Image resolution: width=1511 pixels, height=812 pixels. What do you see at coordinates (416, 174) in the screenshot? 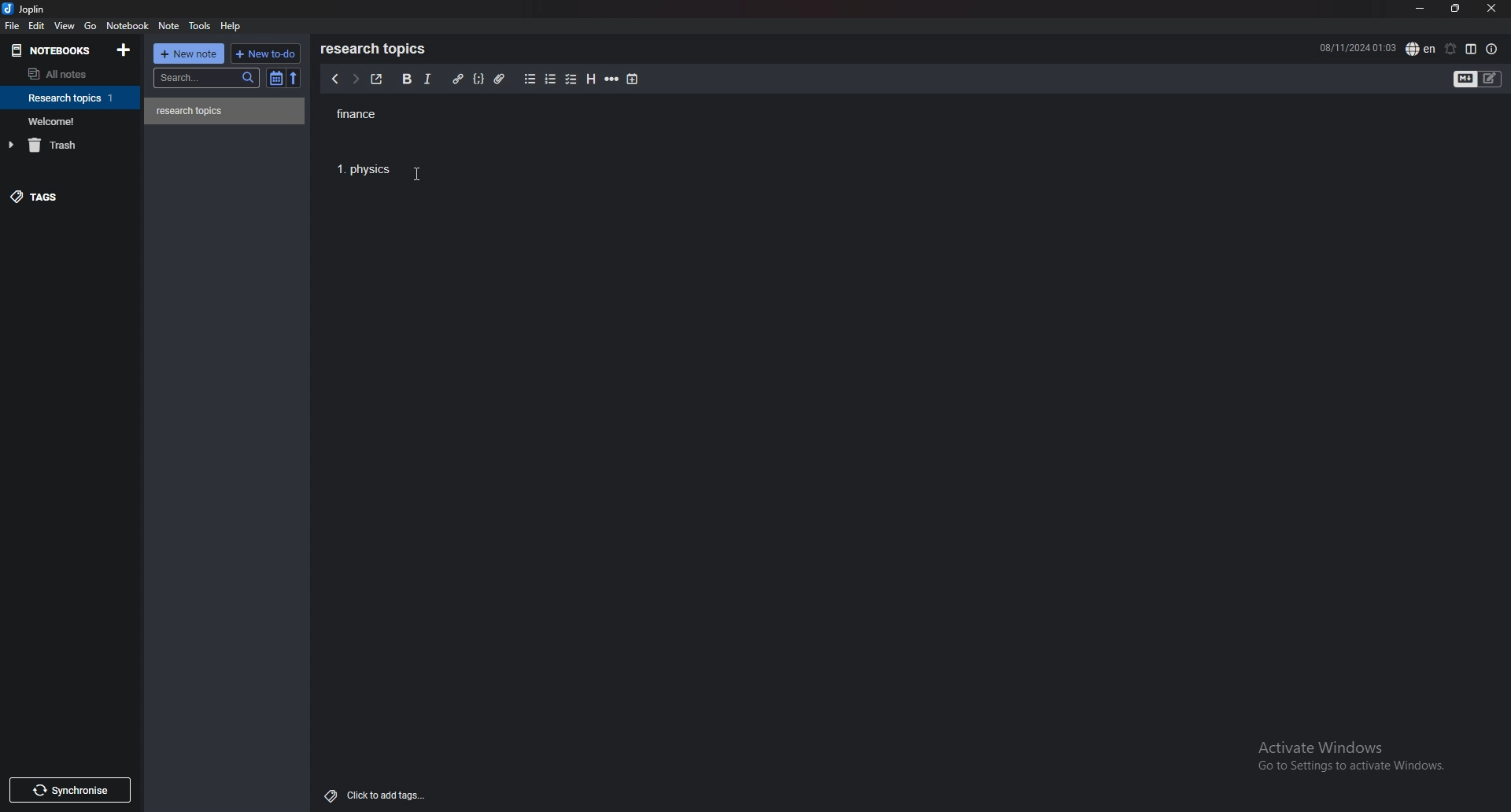
I see `cursor` at bounding box center [416, 174].